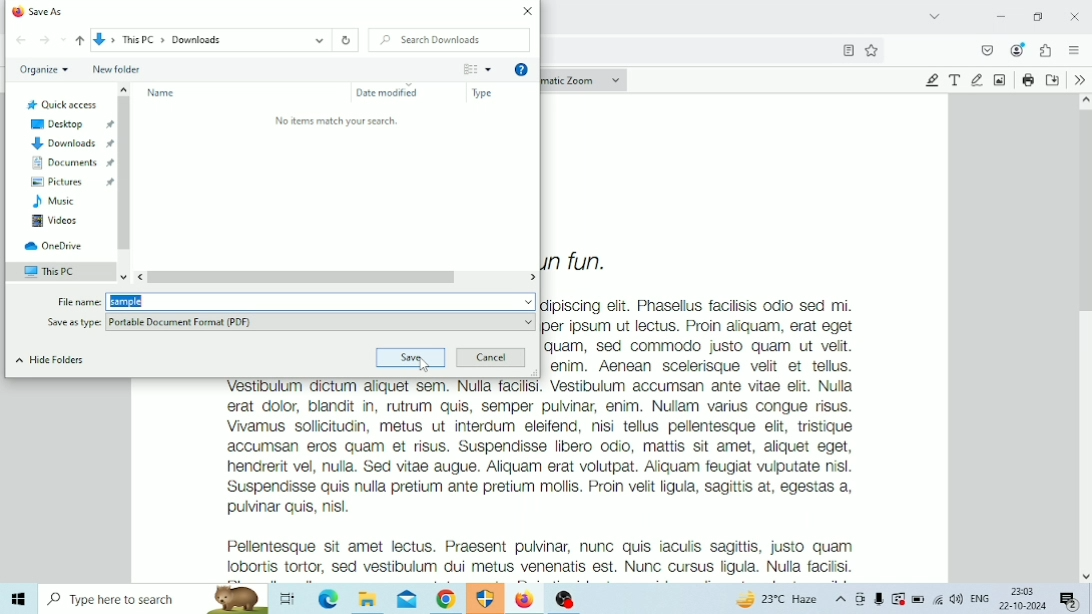 The width and height of the screenshot is (1092, 614). I want to click on PDF Content, so click(744, 338).